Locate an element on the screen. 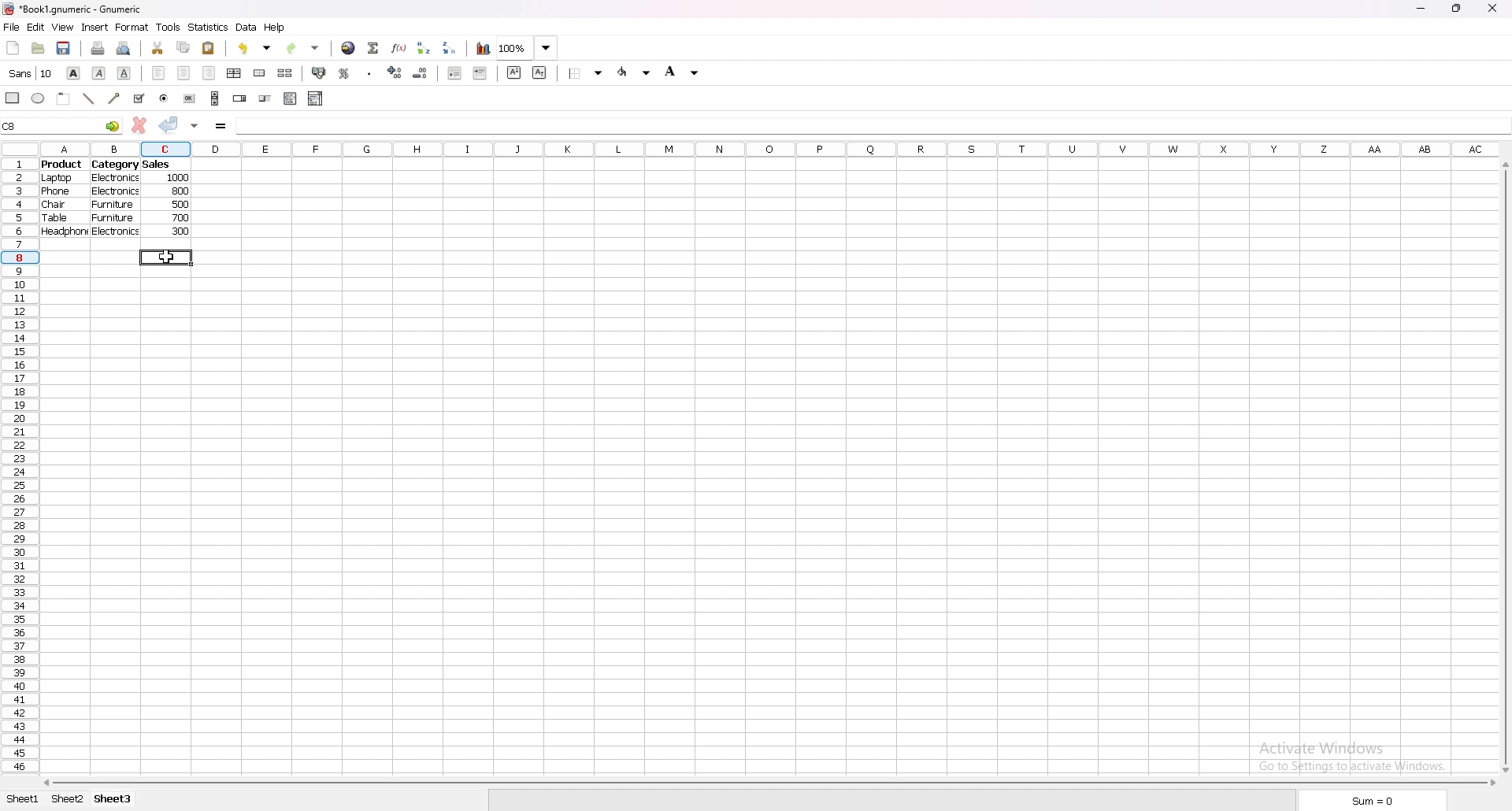  sheet 3 is located at coordinates (113, 800).